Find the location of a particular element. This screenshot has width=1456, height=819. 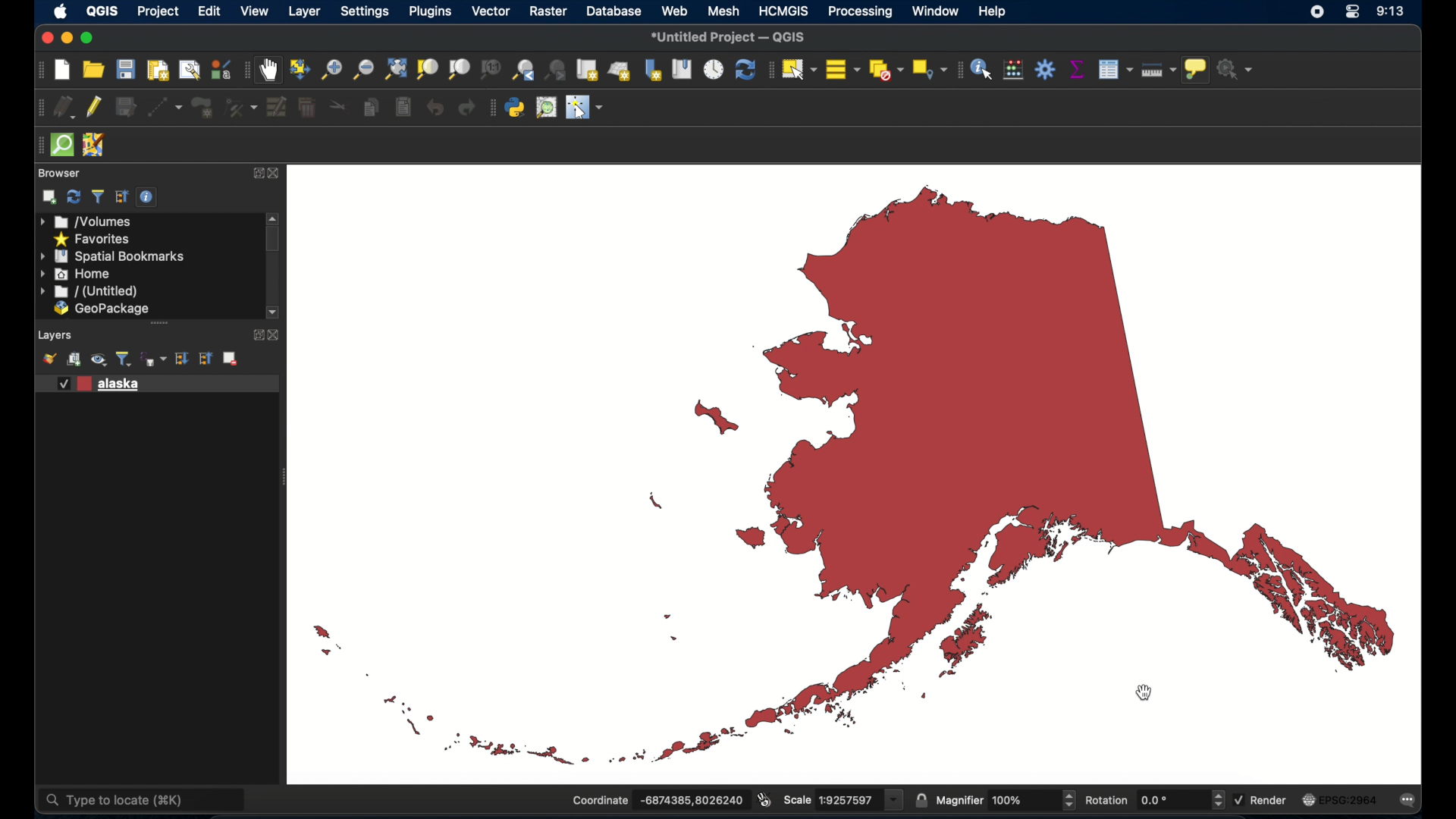

new 3d map view is located at coordinates (620, 72).